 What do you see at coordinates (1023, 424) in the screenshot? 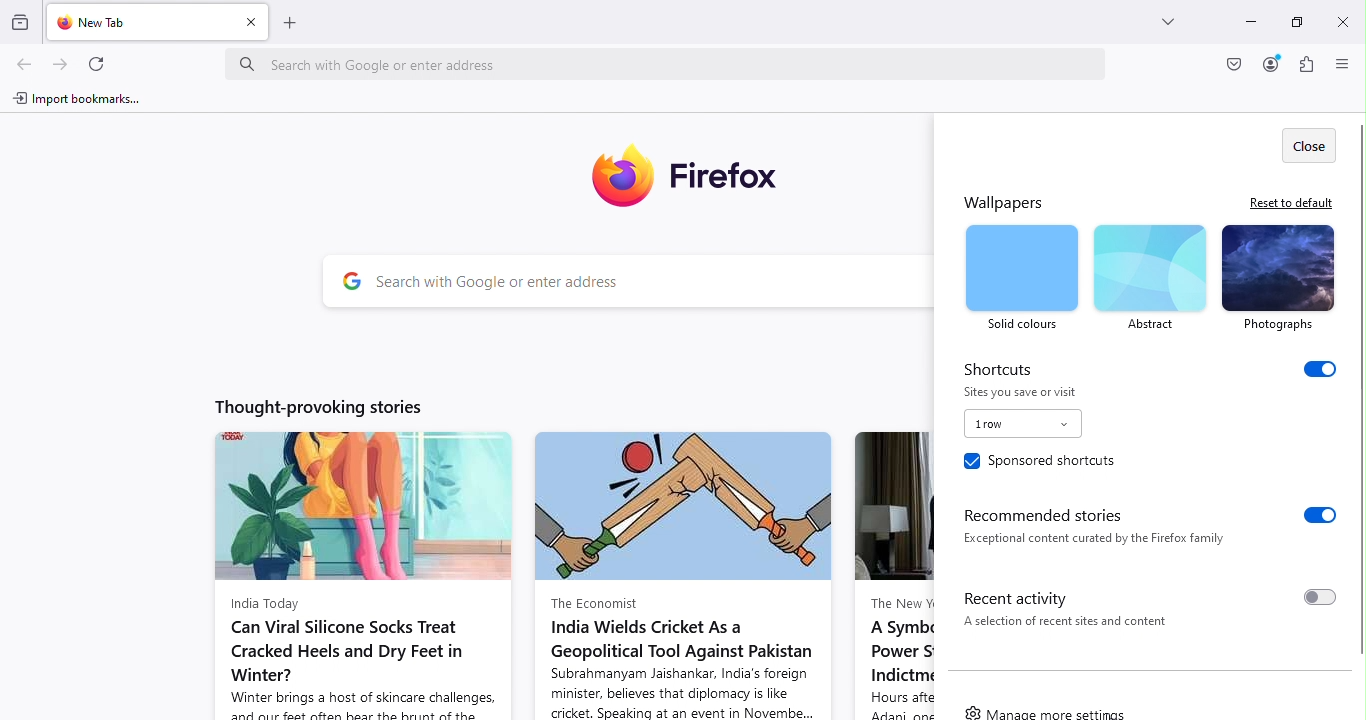
I see `Drop down menu` at bounding box center [1023, 424].